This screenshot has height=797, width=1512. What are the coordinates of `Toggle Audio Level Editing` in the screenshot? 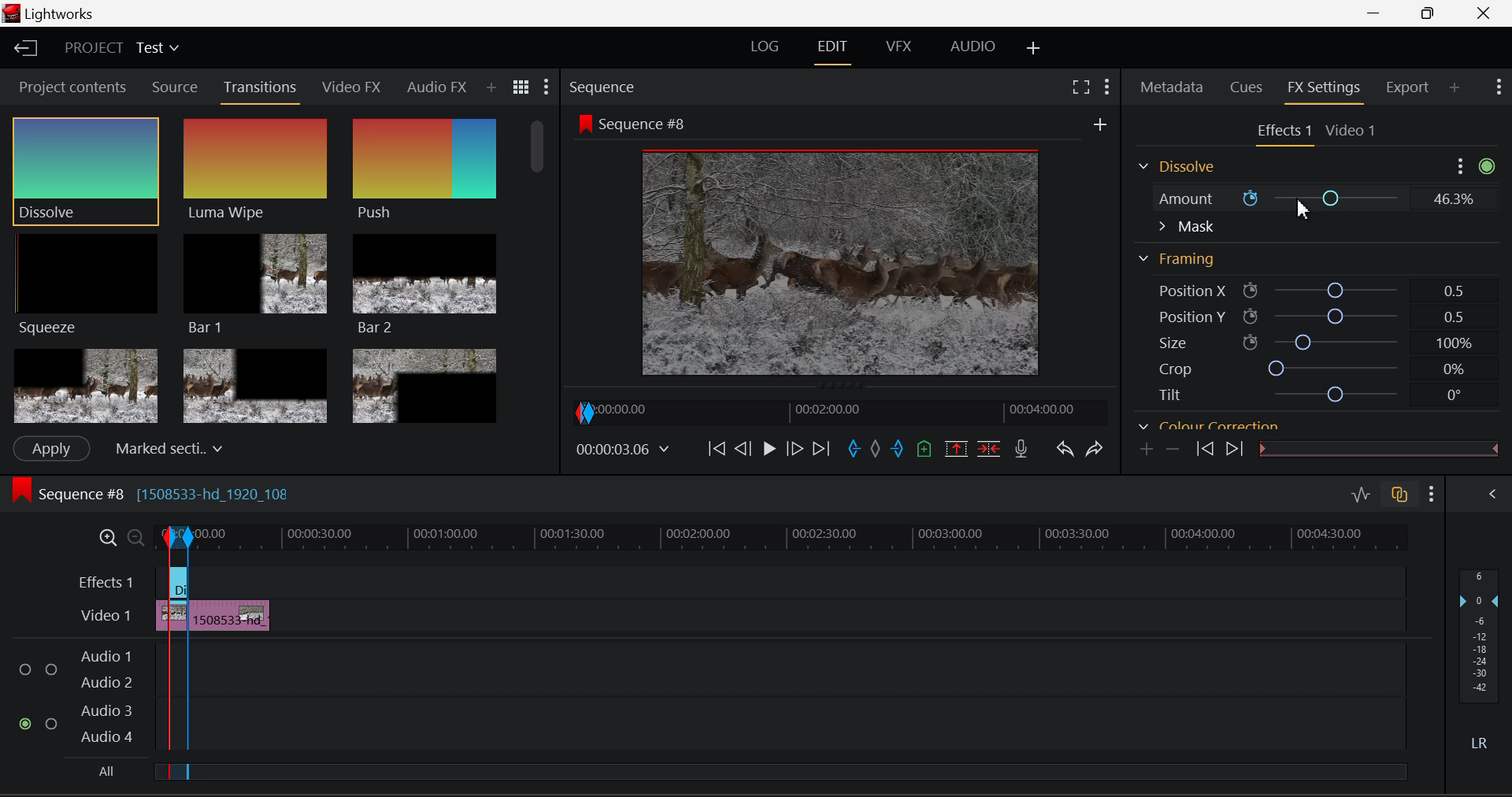 It's located at (1362, 496).